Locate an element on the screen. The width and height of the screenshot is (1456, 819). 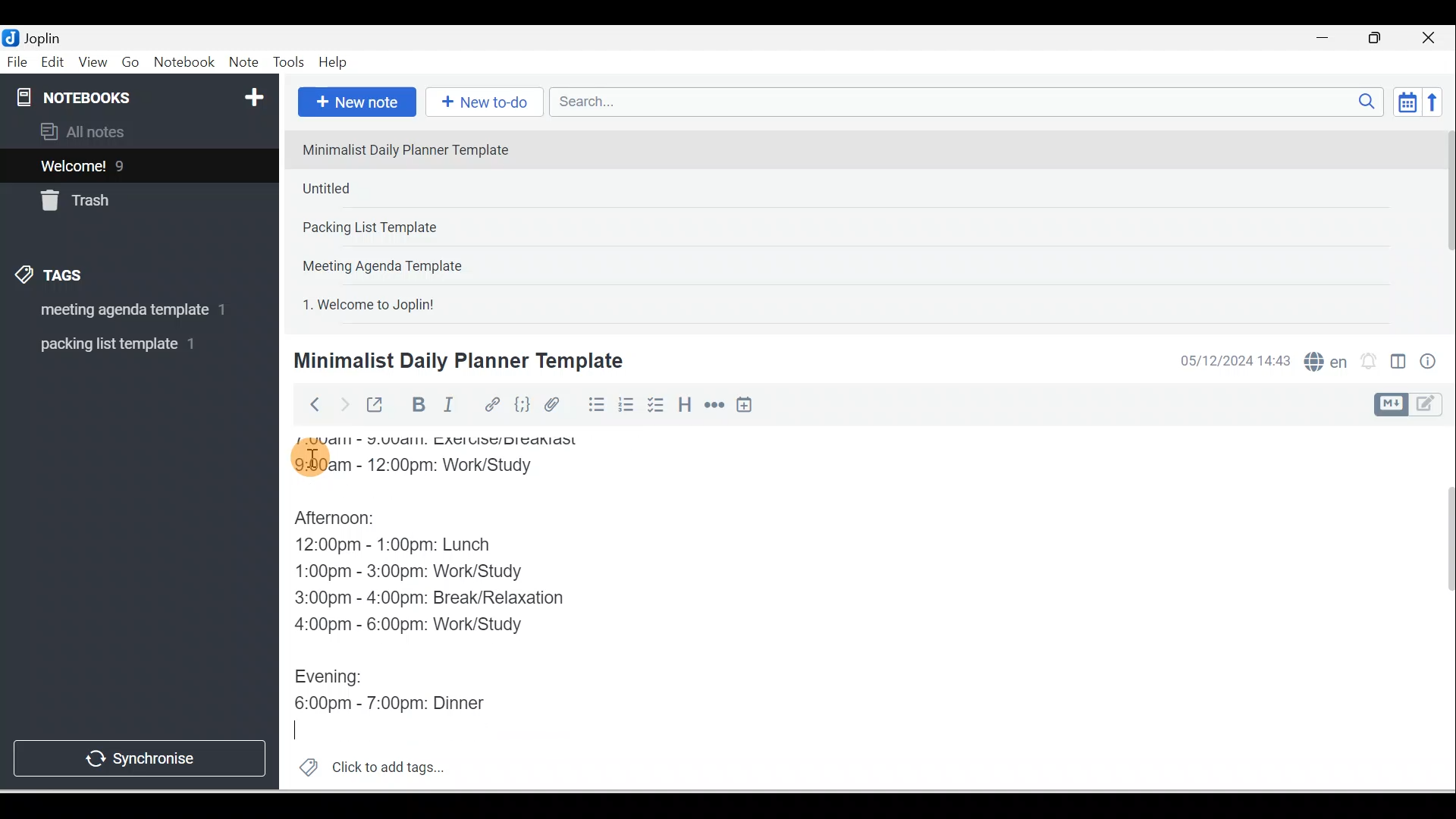
Note 2 is located at coordinates (401, 188).